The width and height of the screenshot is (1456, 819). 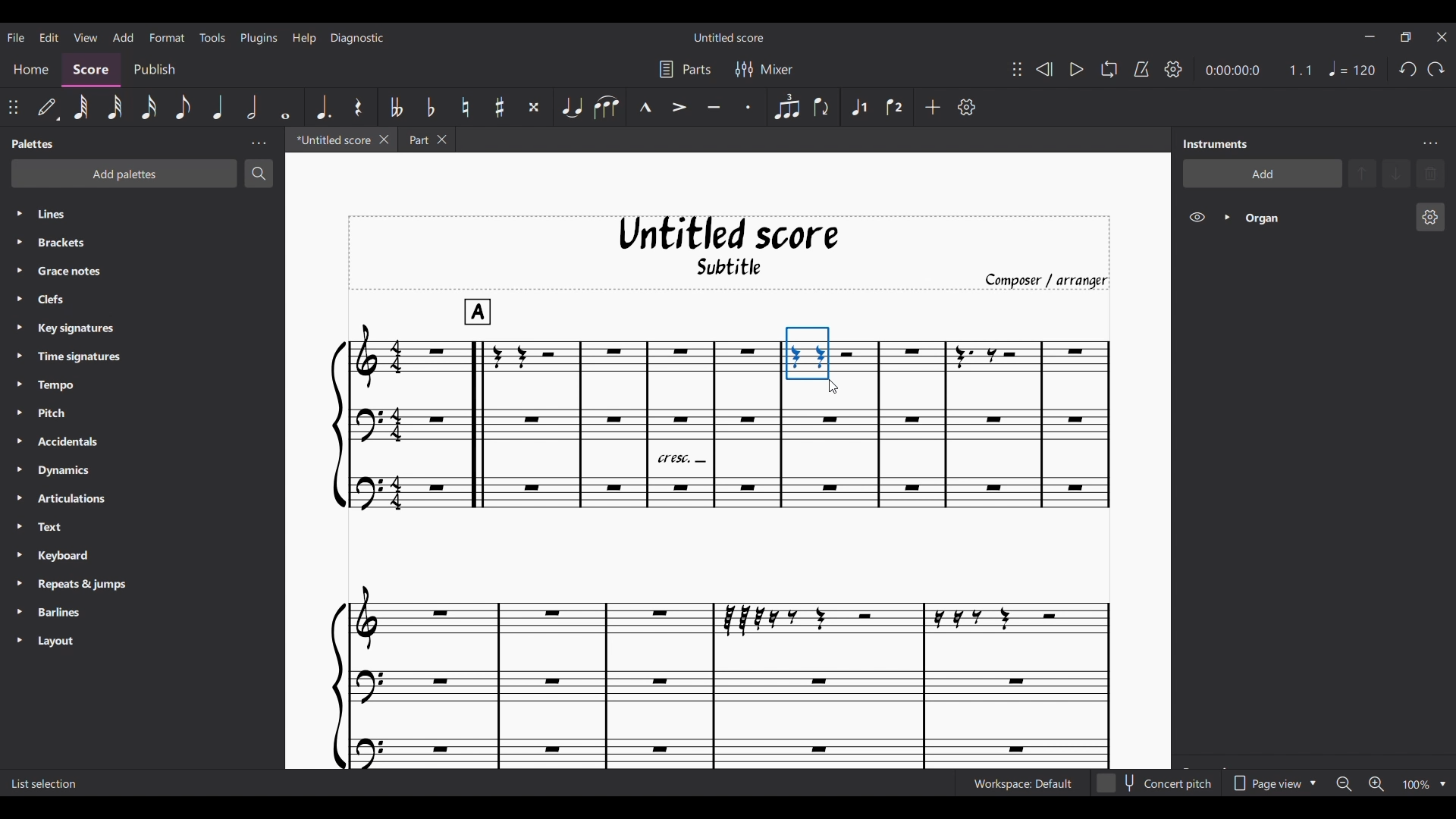 What do you see at coordinates (357, 106) in the screenshot?
I see `Rest` at bounding box center [357, 106].